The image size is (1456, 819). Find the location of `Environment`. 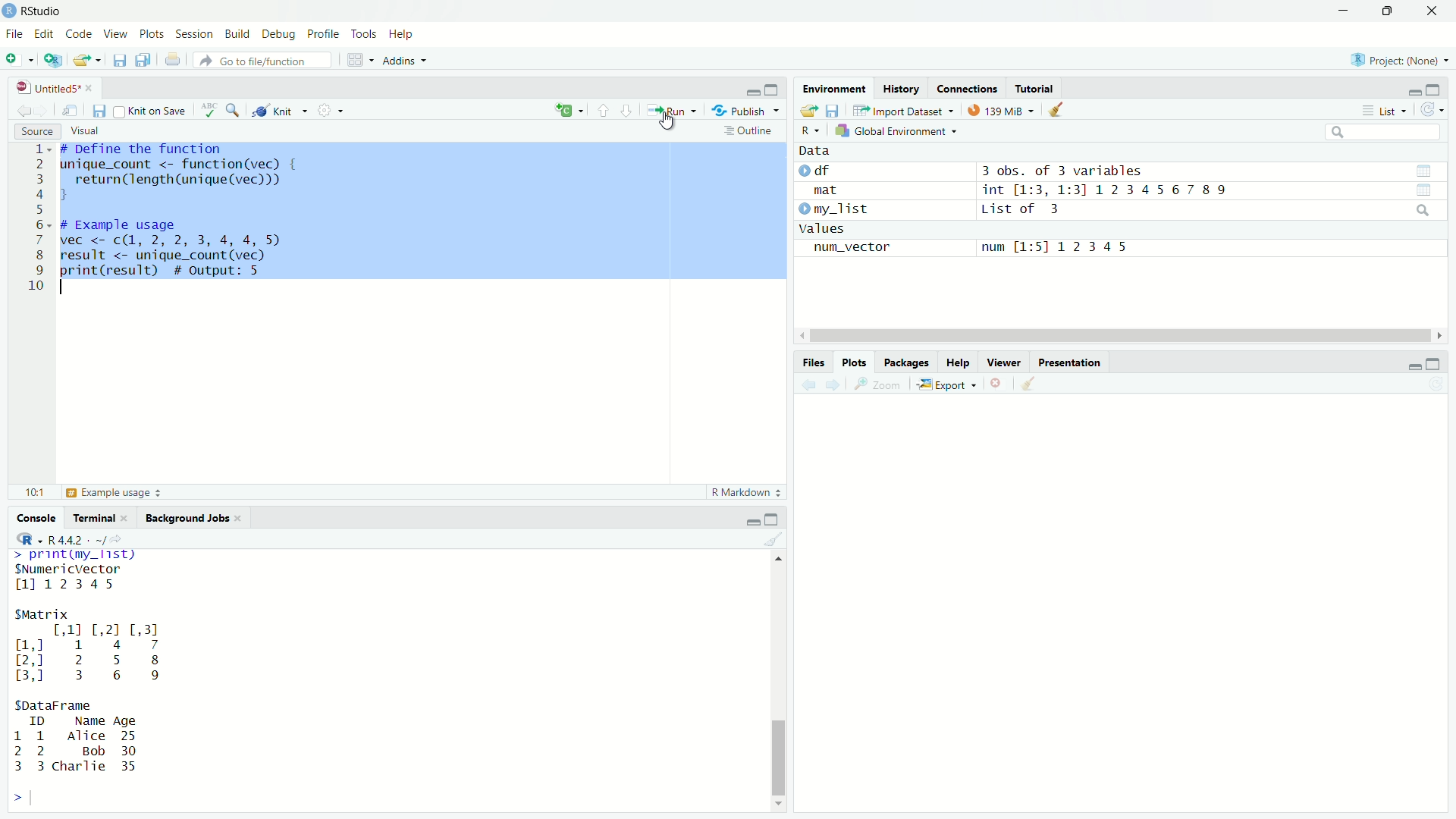

Environment is located at coordinates (835, 89).